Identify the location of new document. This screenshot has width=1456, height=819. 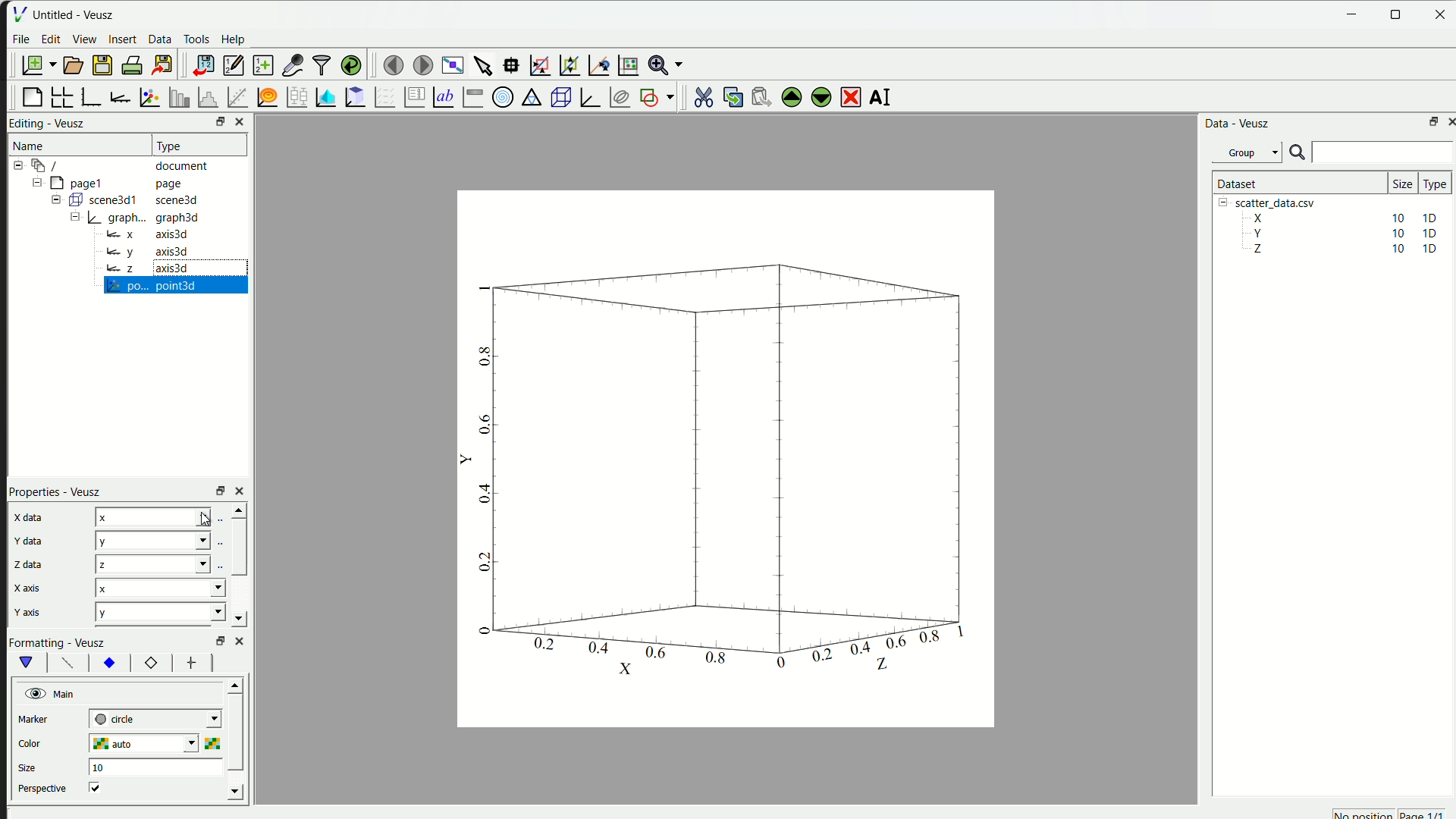
(35, 64).